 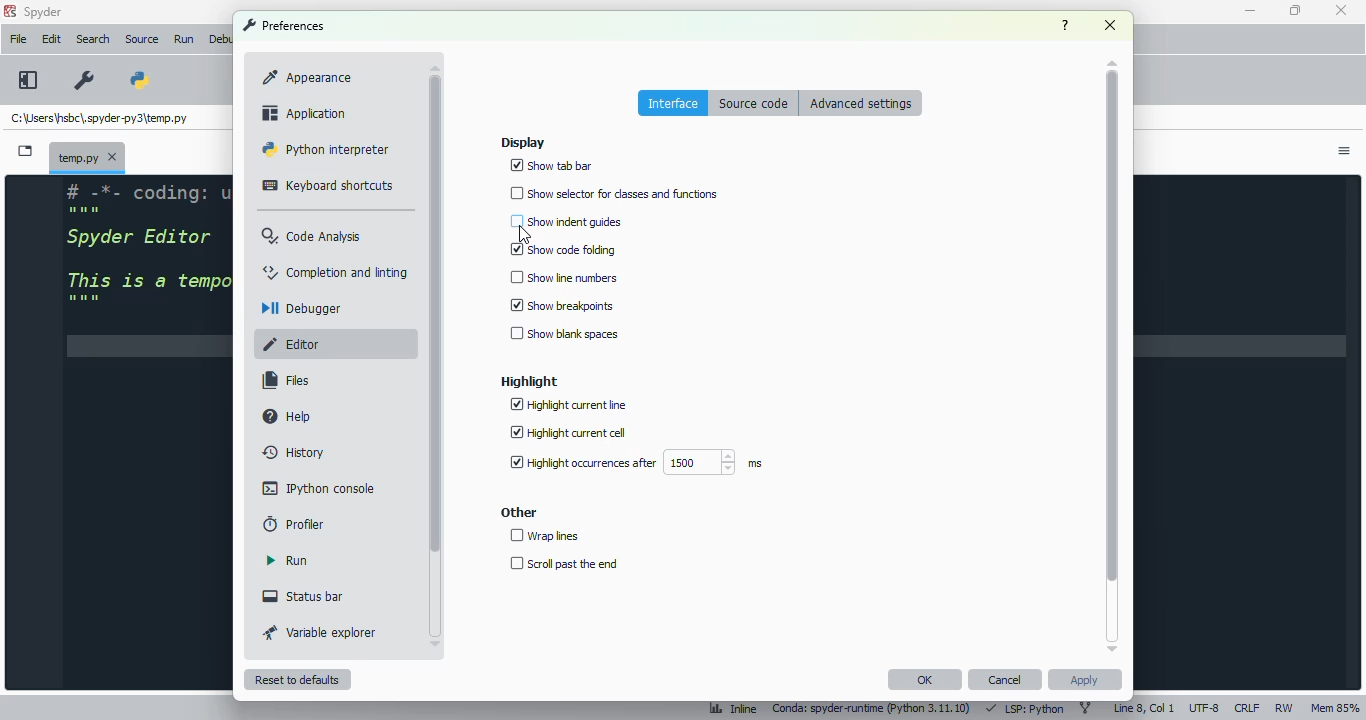 What do you see at coordinates (1205, 710) in the screenshot?
I see `UTF-8` at bounding box center [1205, 710].